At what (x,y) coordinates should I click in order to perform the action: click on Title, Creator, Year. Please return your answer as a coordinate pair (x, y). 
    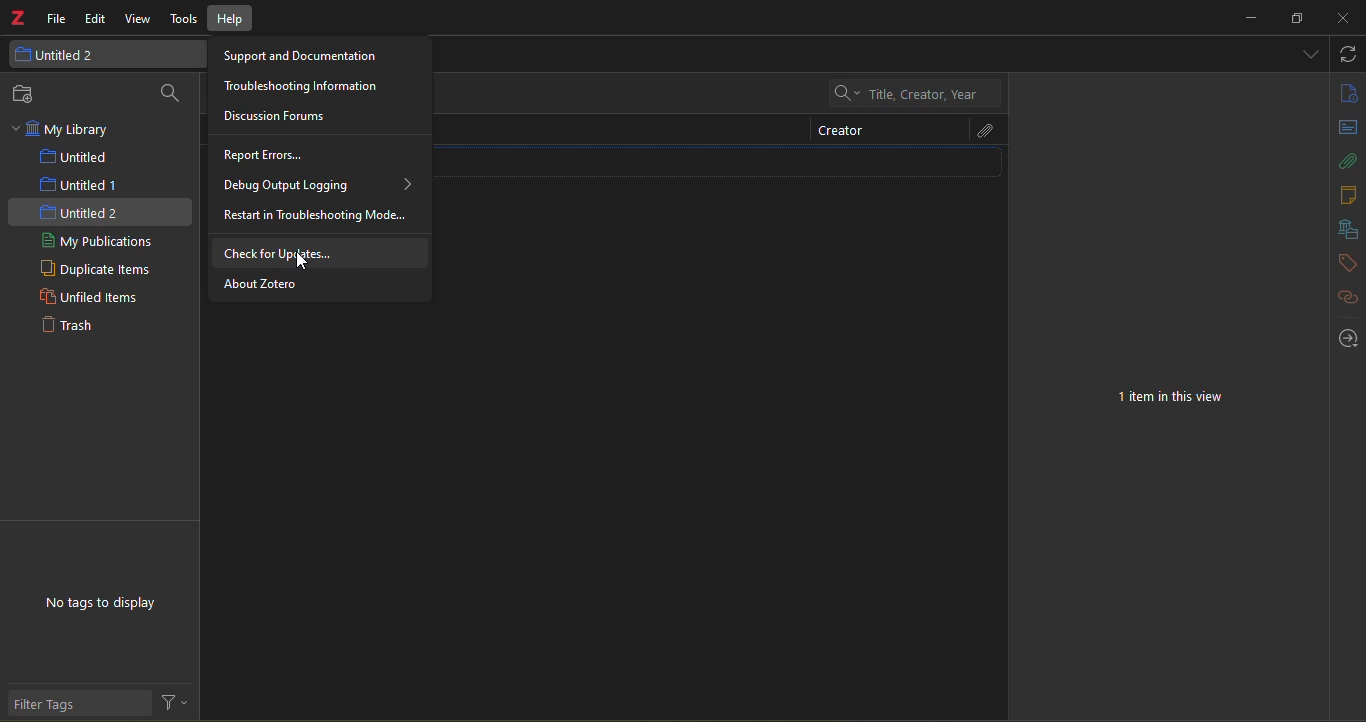
    Looking at the image, I should click on (910, 93).